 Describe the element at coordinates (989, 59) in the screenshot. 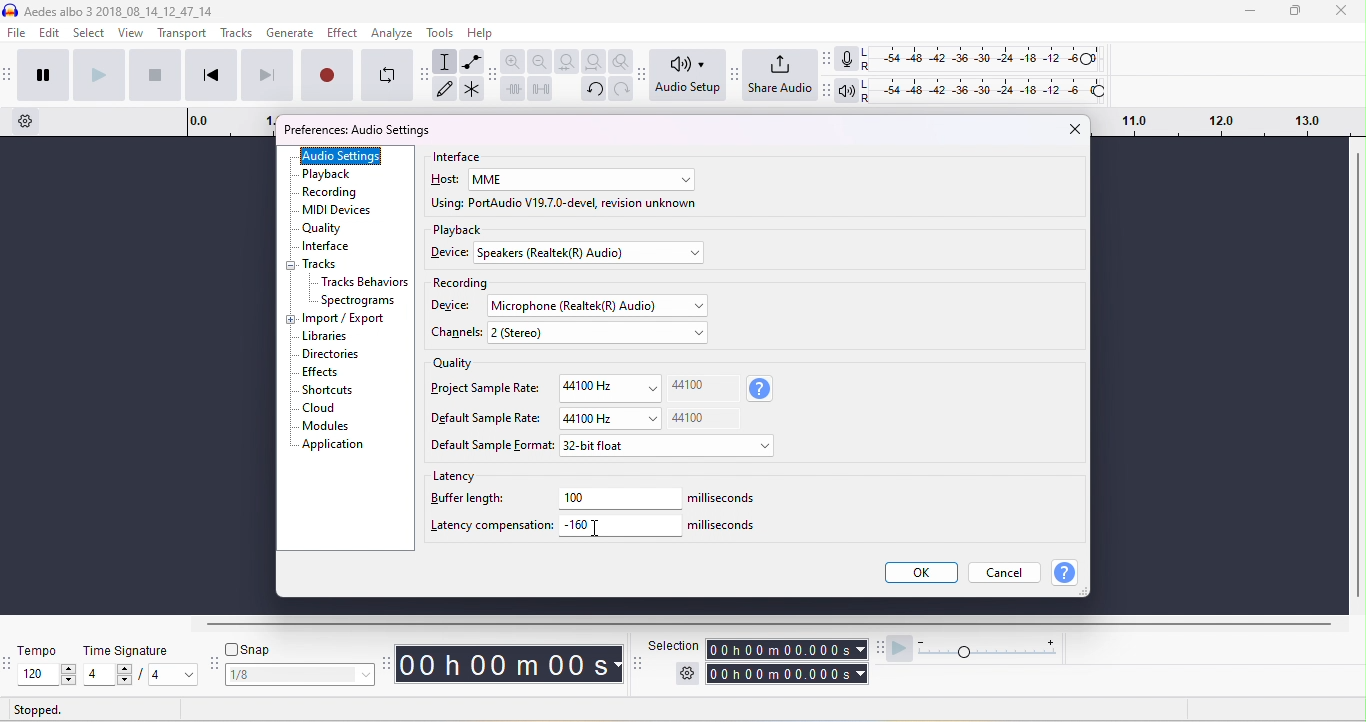

I see `recording level` at that location.